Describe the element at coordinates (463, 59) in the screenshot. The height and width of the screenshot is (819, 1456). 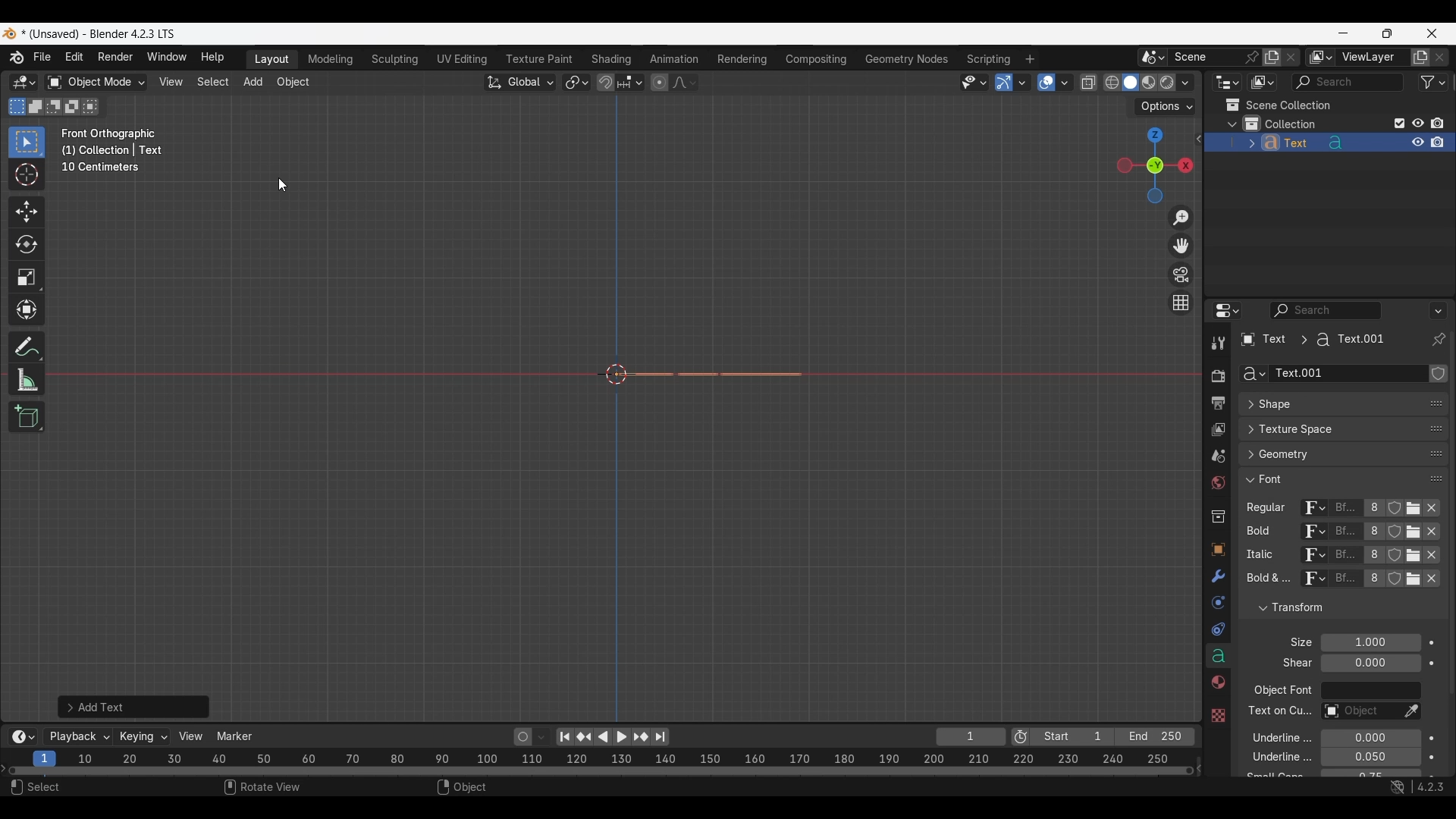
I see `UV Editing workspace` at that location.